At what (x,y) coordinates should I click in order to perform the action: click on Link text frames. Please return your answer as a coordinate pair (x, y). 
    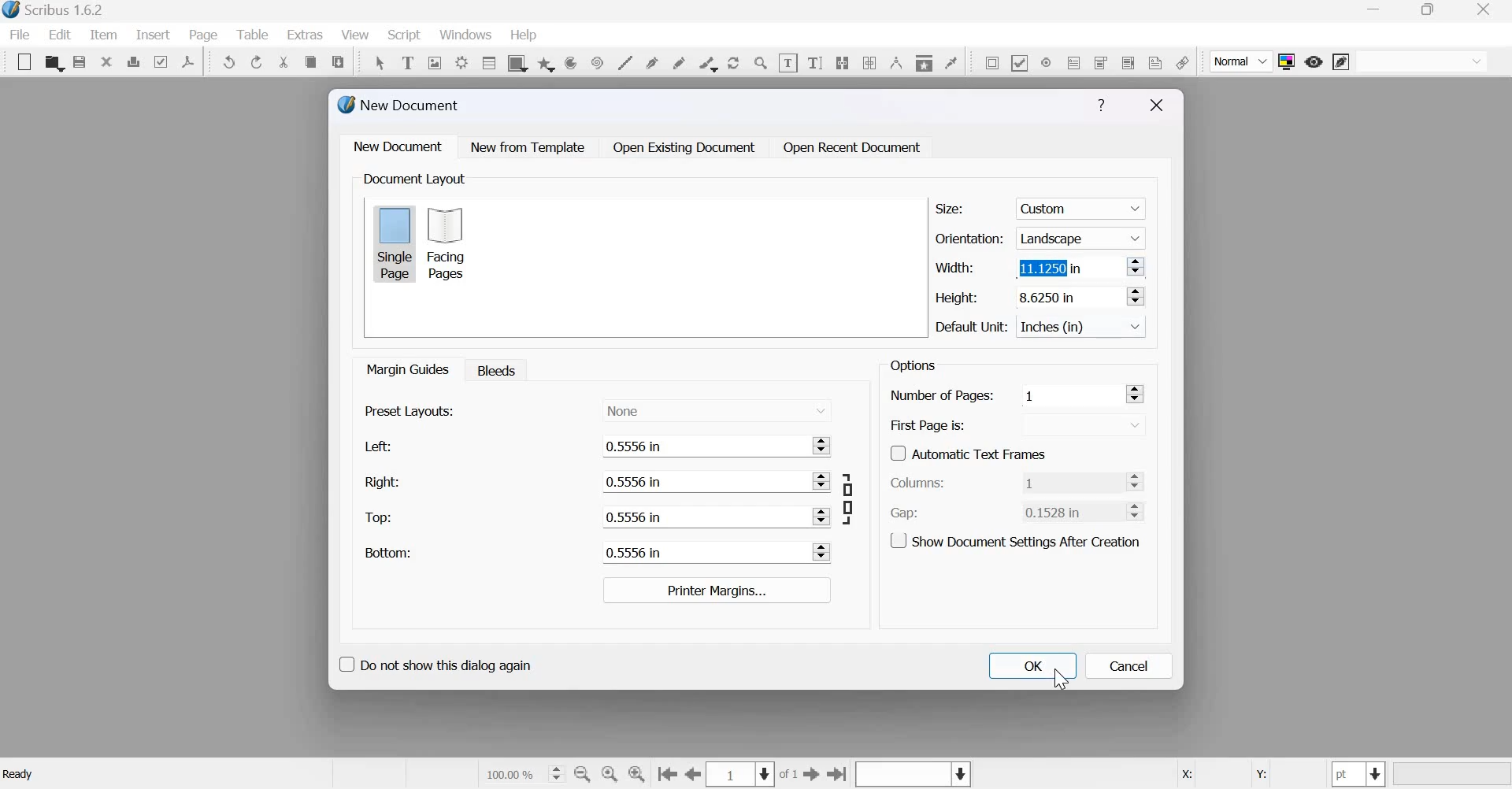
    Looking at the image, I should click on (842, 61).